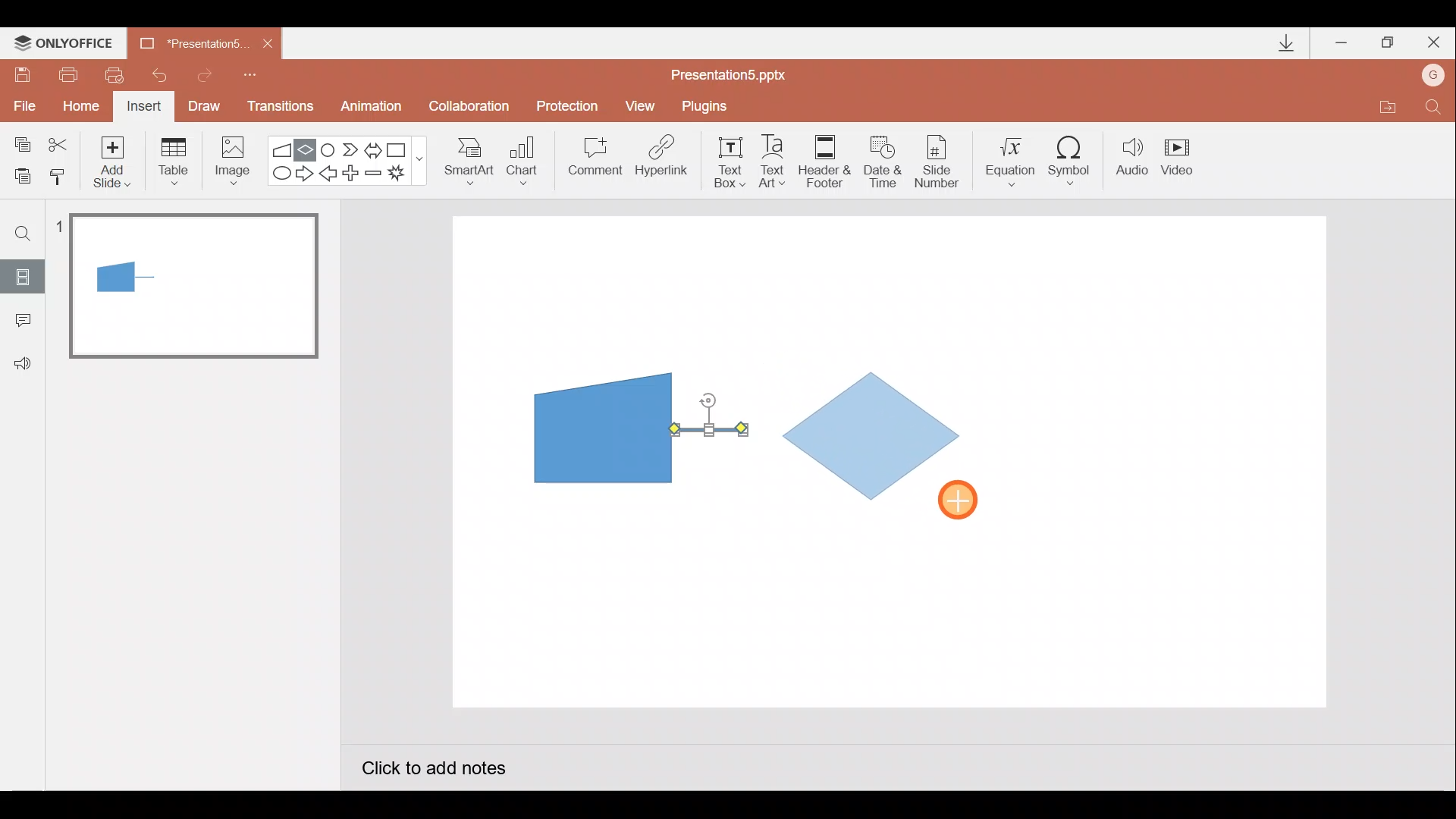  What do you see at coordinates (228, 160) in the screenshot?
I see `Image` at bounding box center [228, 160].